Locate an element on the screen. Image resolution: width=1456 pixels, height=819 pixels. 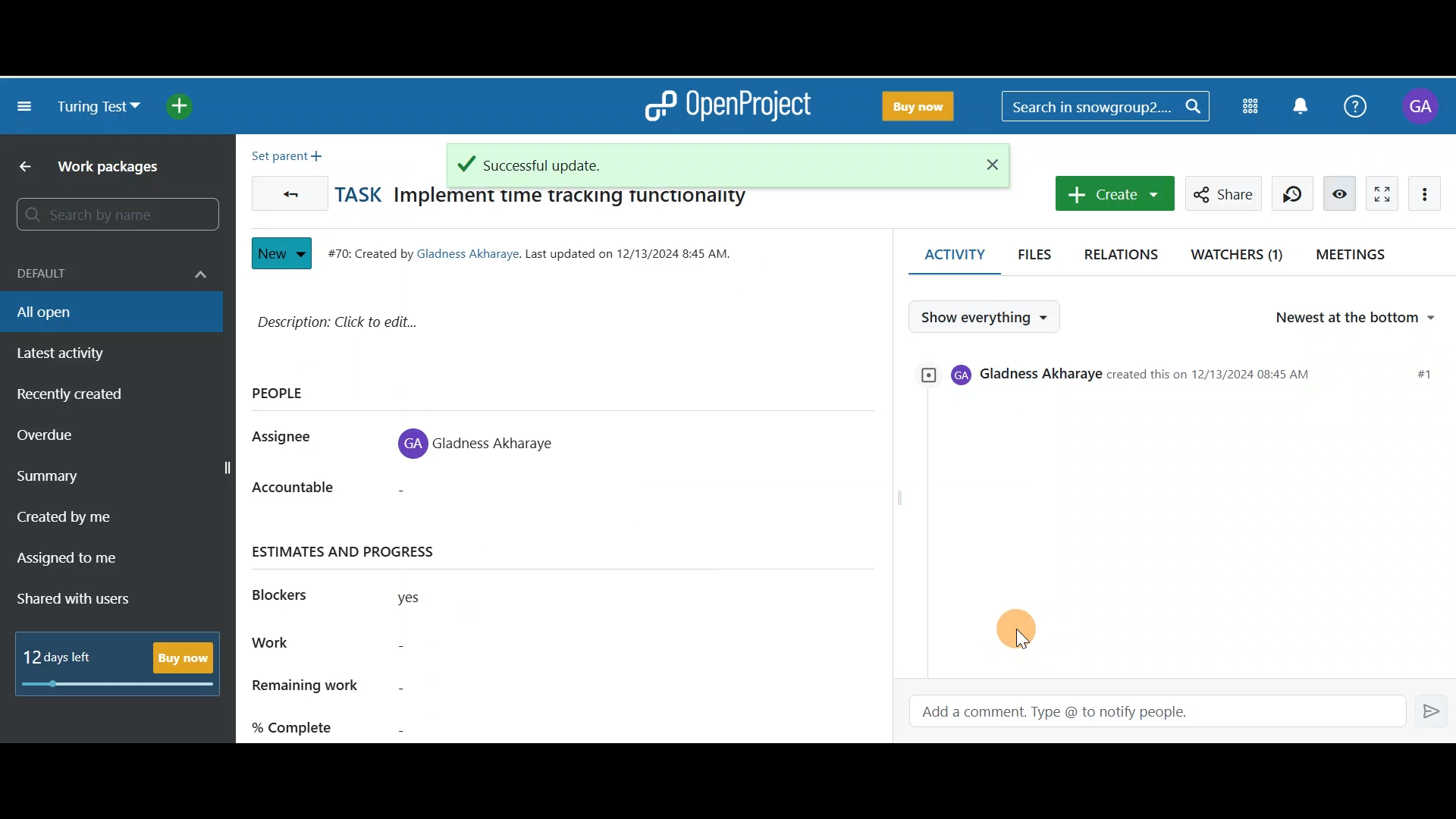
Collapse project menu is located at coordinates (26, 108).